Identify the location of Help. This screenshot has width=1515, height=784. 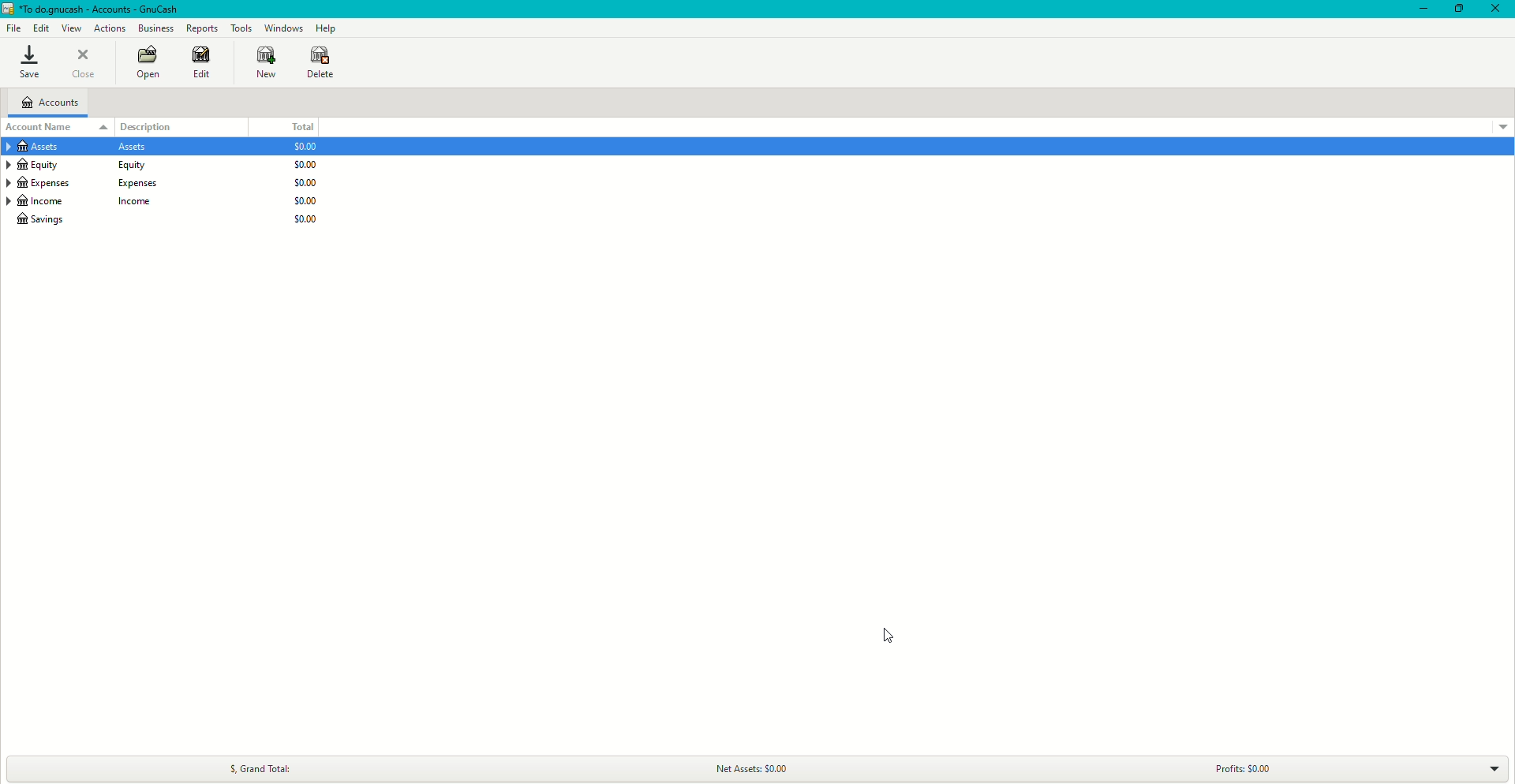
(326, 28).